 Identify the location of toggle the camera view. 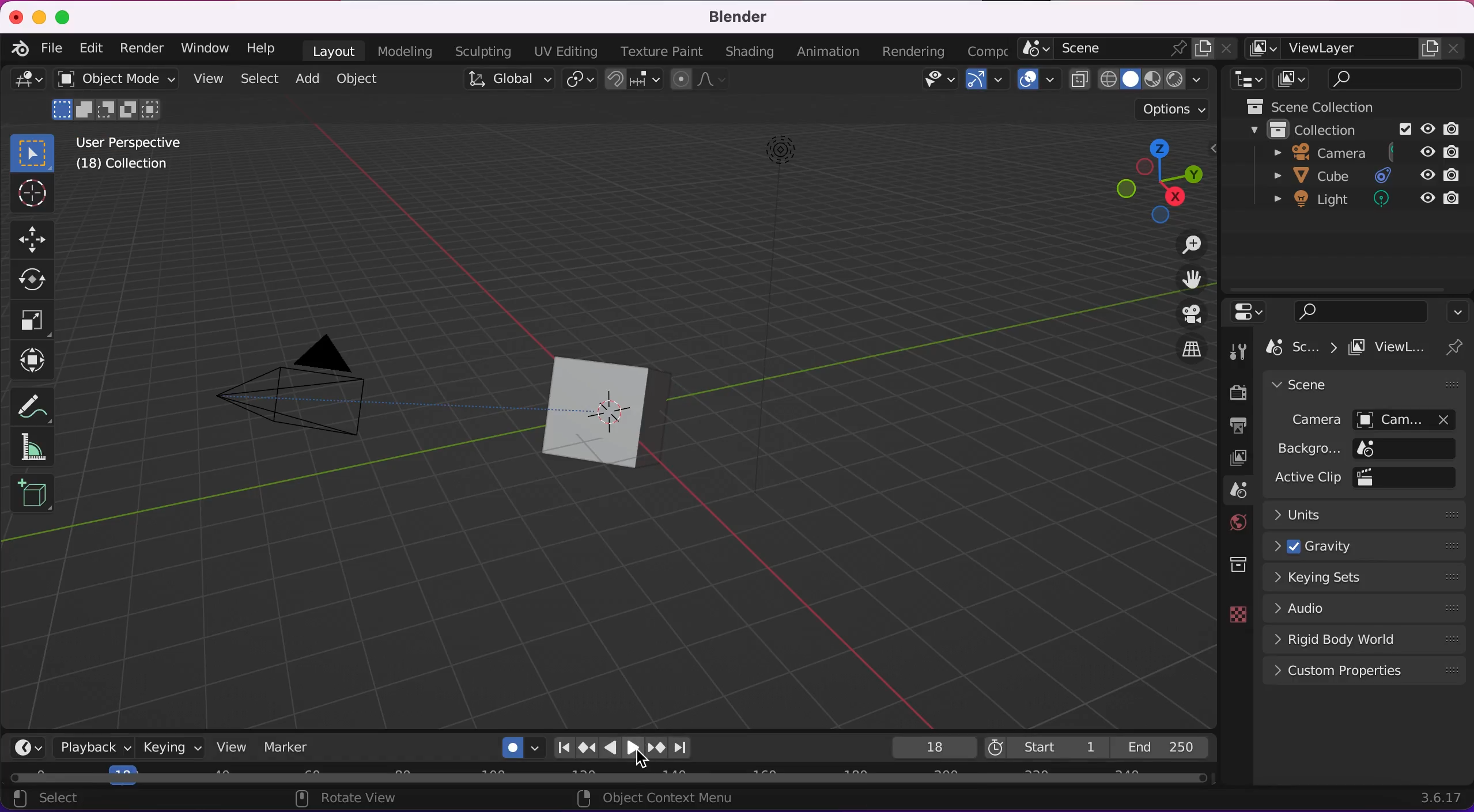
(1182, 314).